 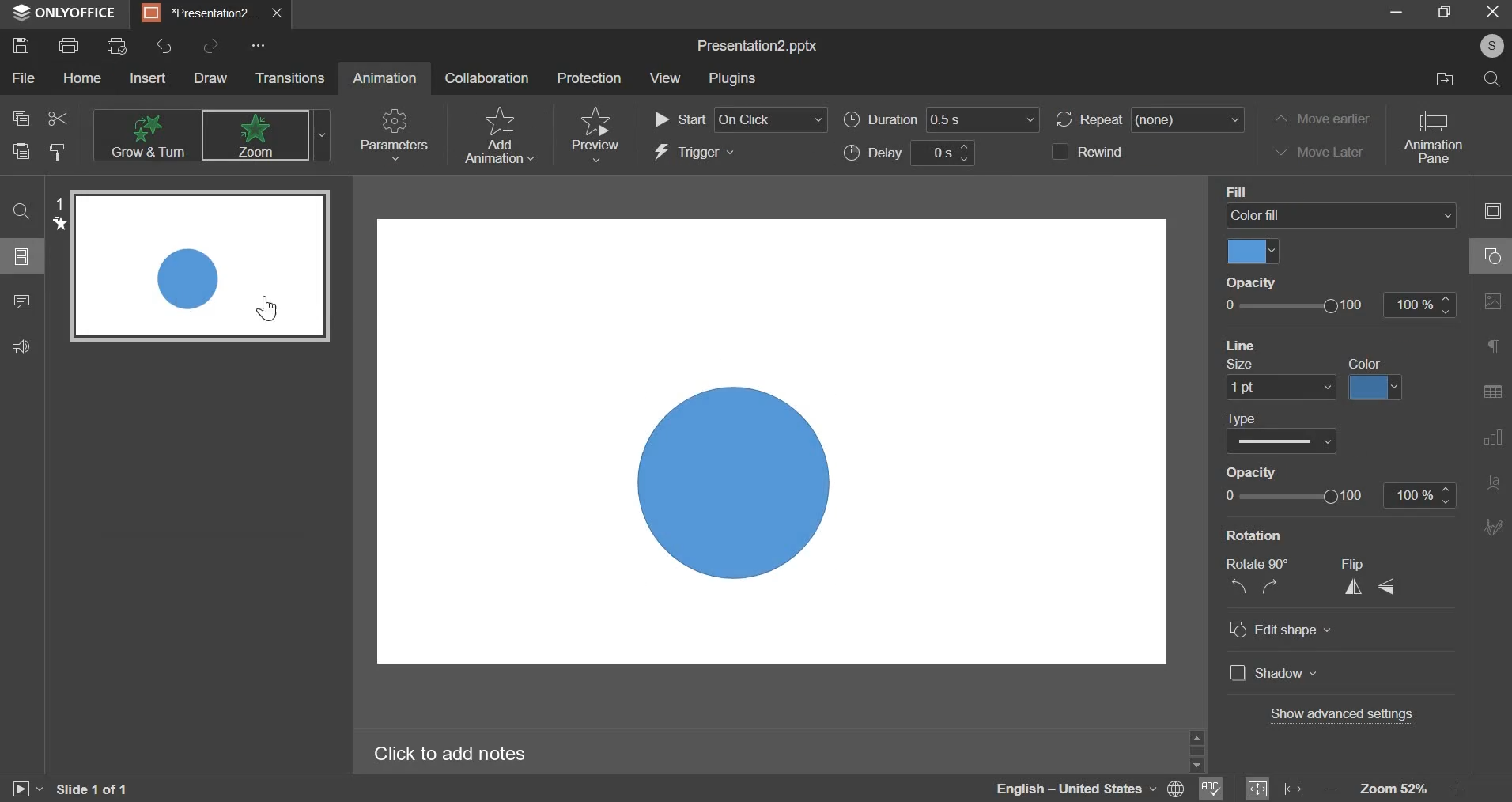 I want to click on cut, so click(x=57, y=118).